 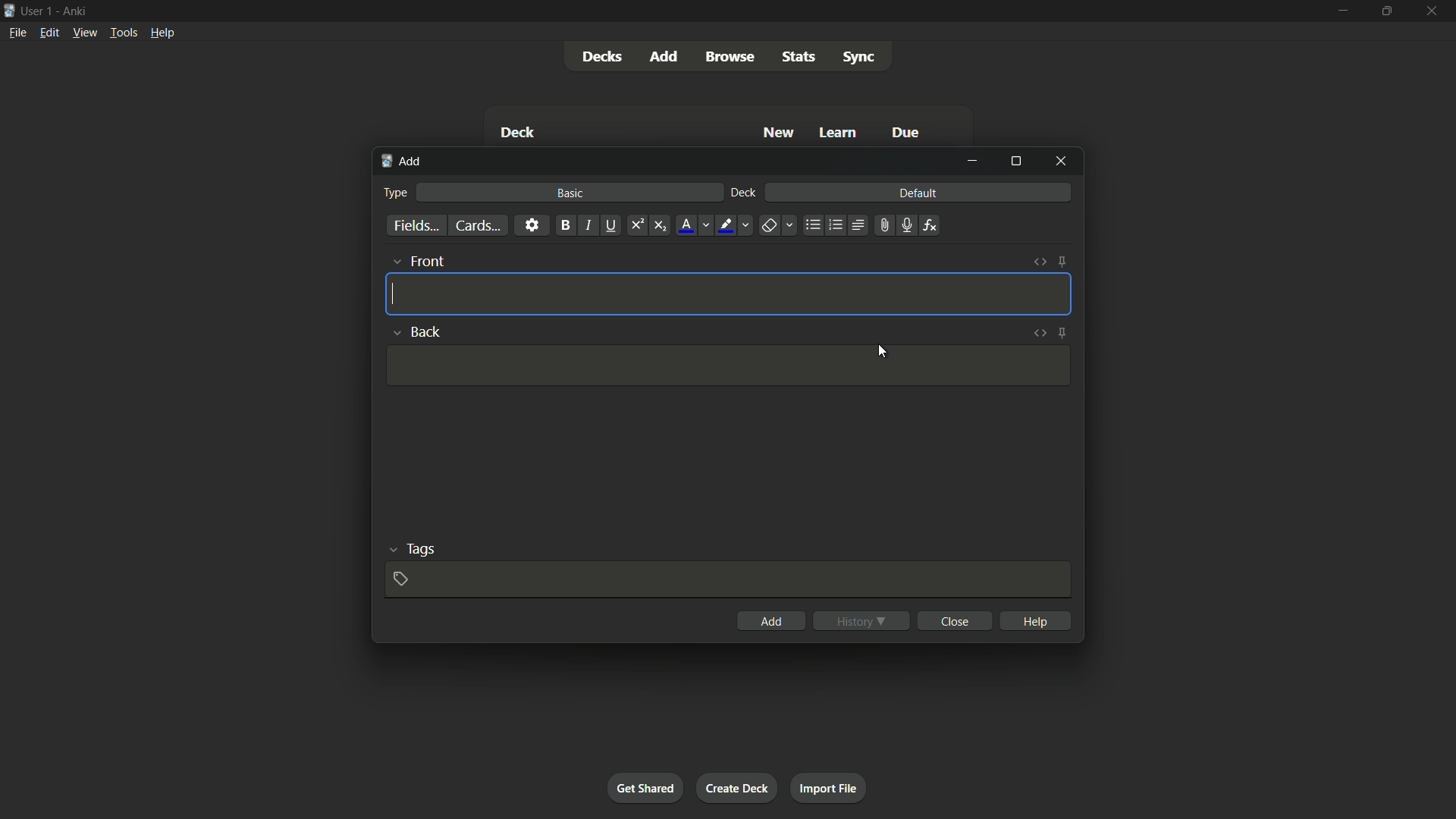 I want to click on create deck, so click(x=739, y=787).